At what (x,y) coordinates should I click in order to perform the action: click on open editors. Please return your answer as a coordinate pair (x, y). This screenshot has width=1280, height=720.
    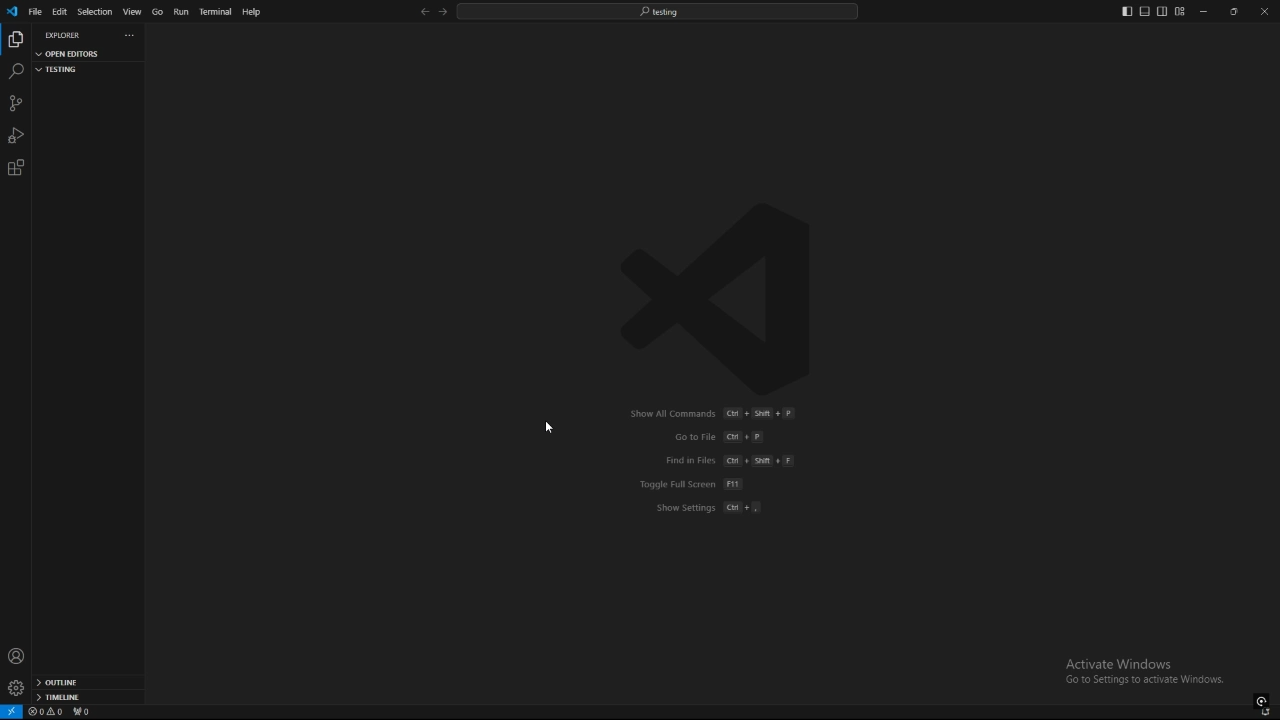
    Looking at the image, I should click on (80, 55).